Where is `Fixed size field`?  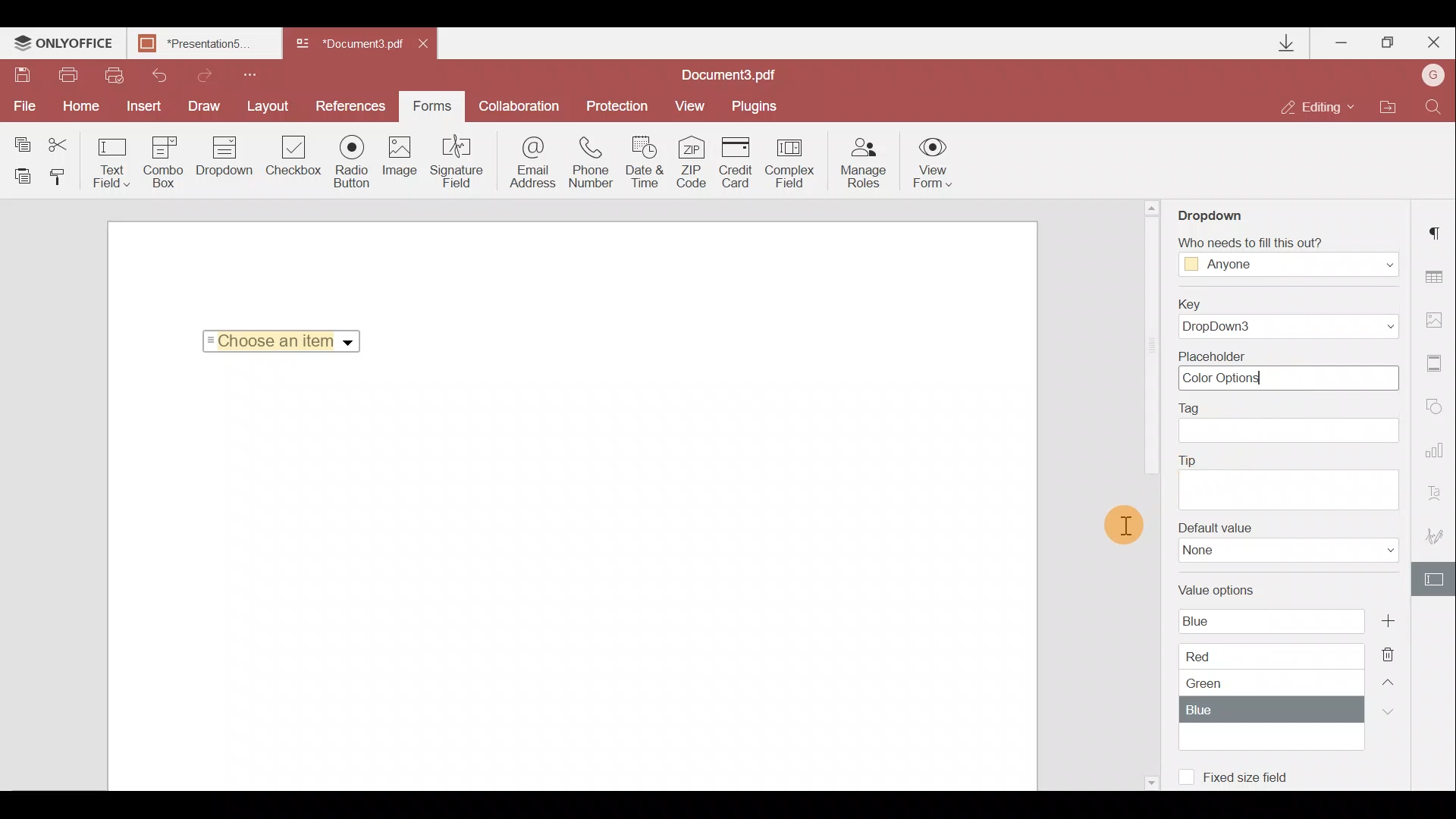
Fixed size field is located at coordinates (1255, 780).